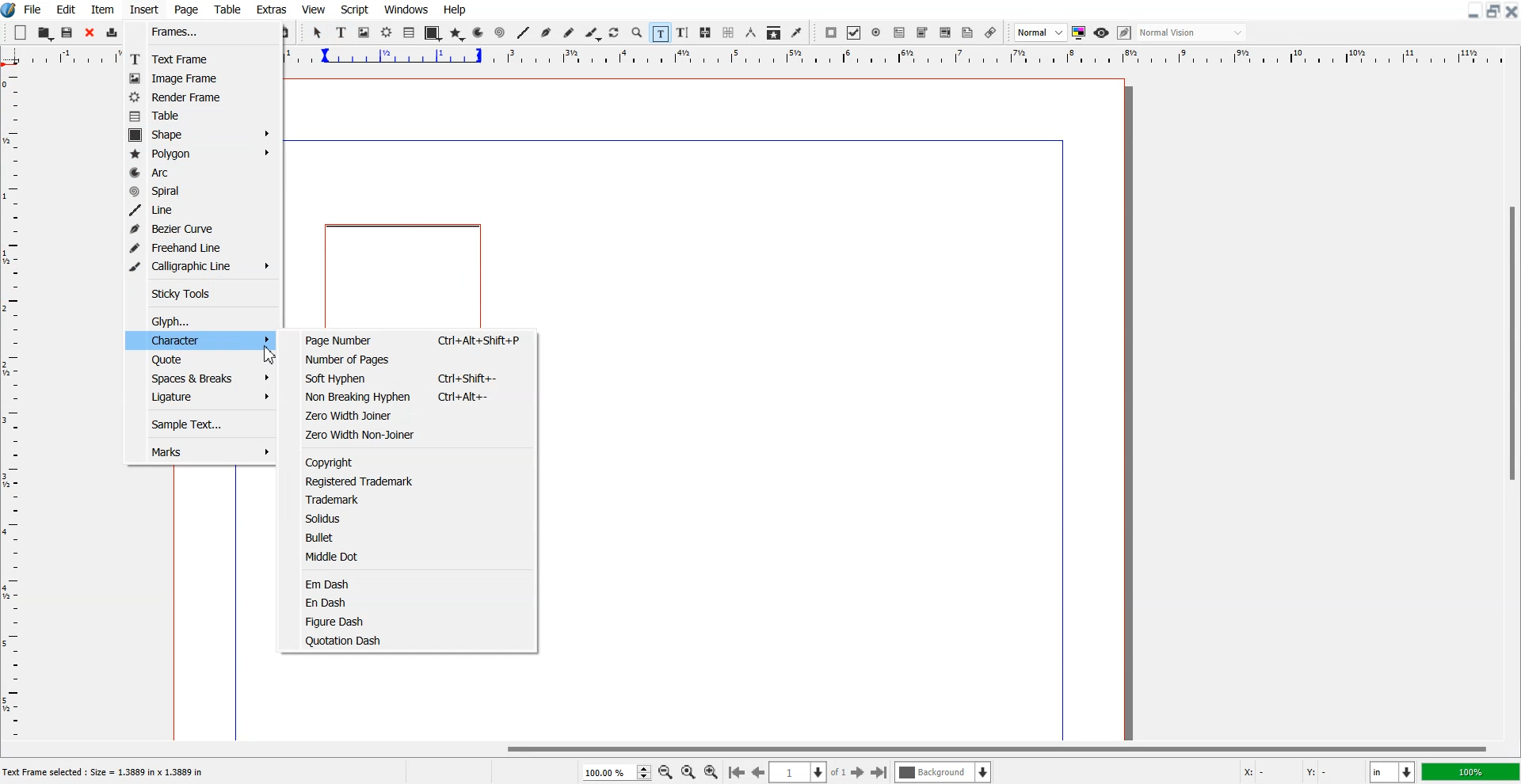  I want to click on Middle Dot, so click(416, 555).